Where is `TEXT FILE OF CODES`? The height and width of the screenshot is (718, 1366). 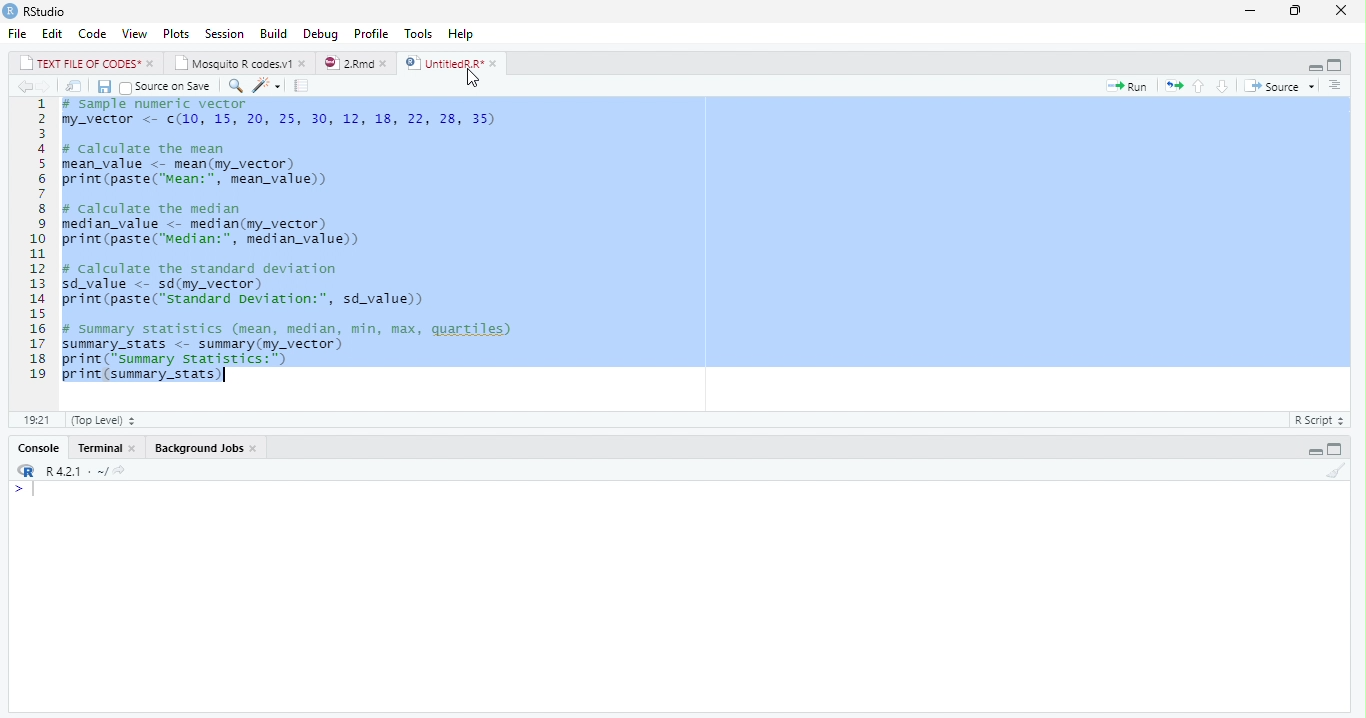
TEXT FILE OF CODES is located at coordinates (82, 65).